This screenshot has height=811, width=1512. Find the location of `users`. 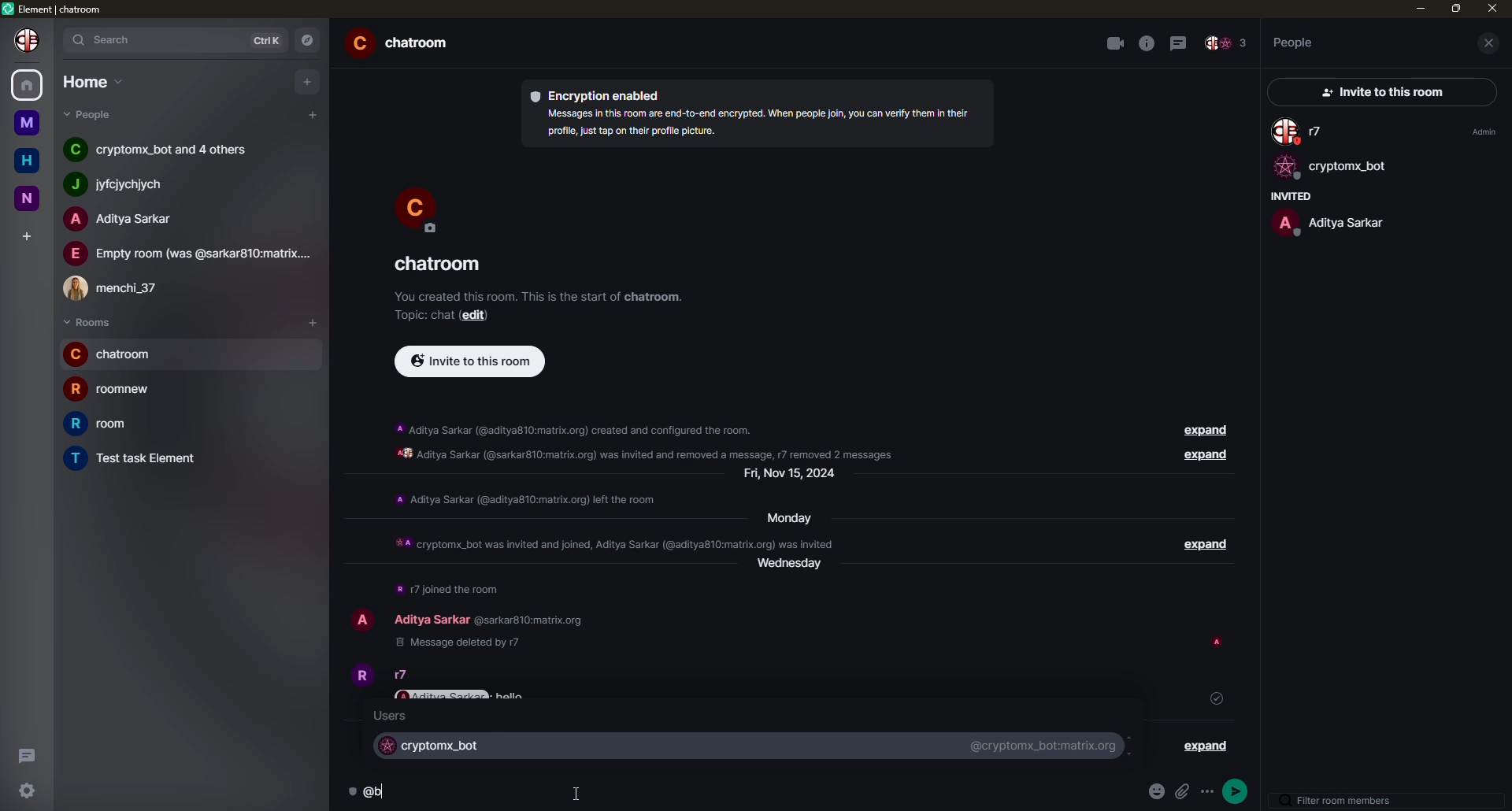

users is located at coordinates (391, 716).